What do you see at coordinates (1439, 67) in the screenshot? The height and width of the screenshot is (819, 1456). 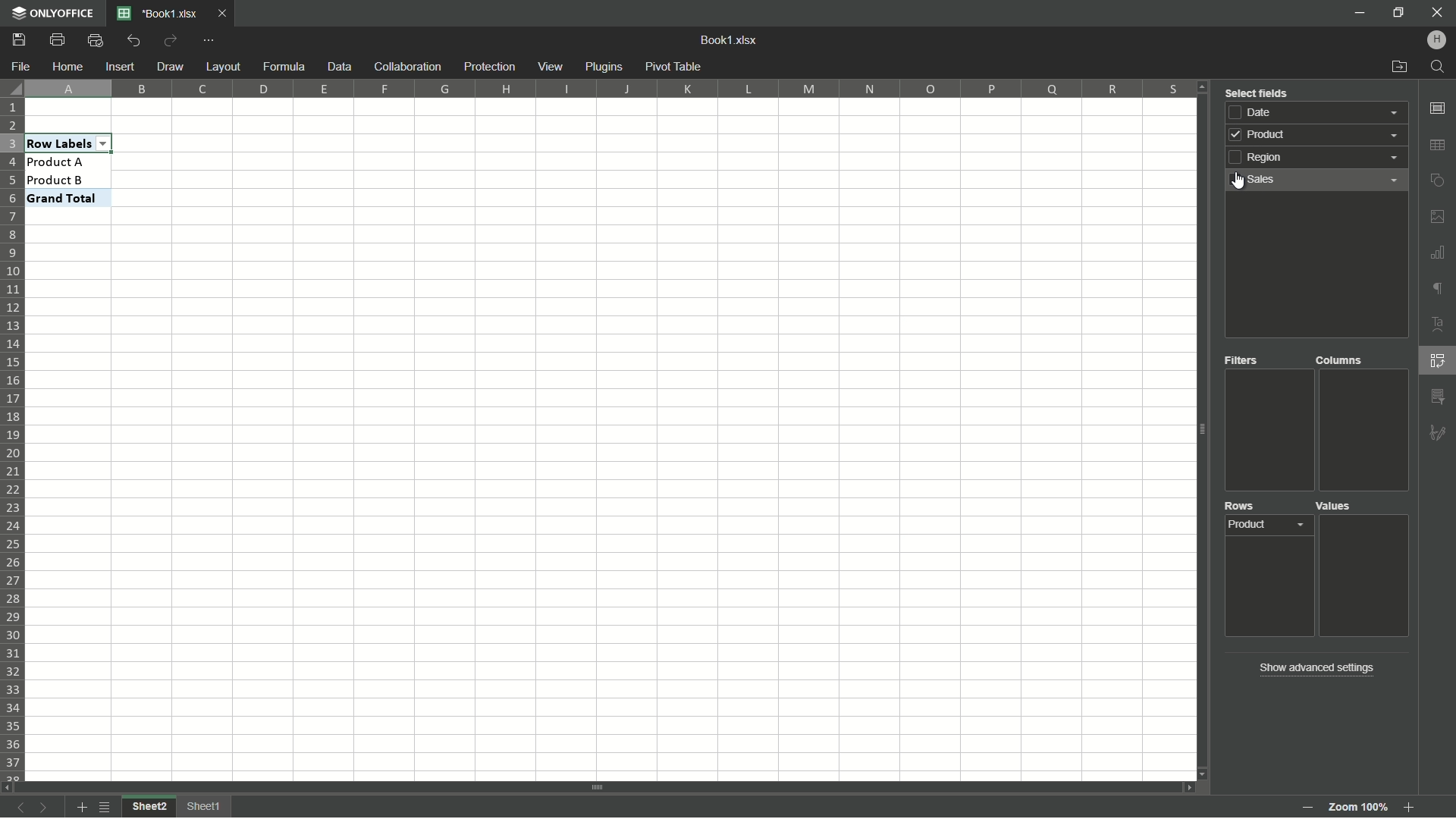 I see `find` at bounding box center [1439, 67].